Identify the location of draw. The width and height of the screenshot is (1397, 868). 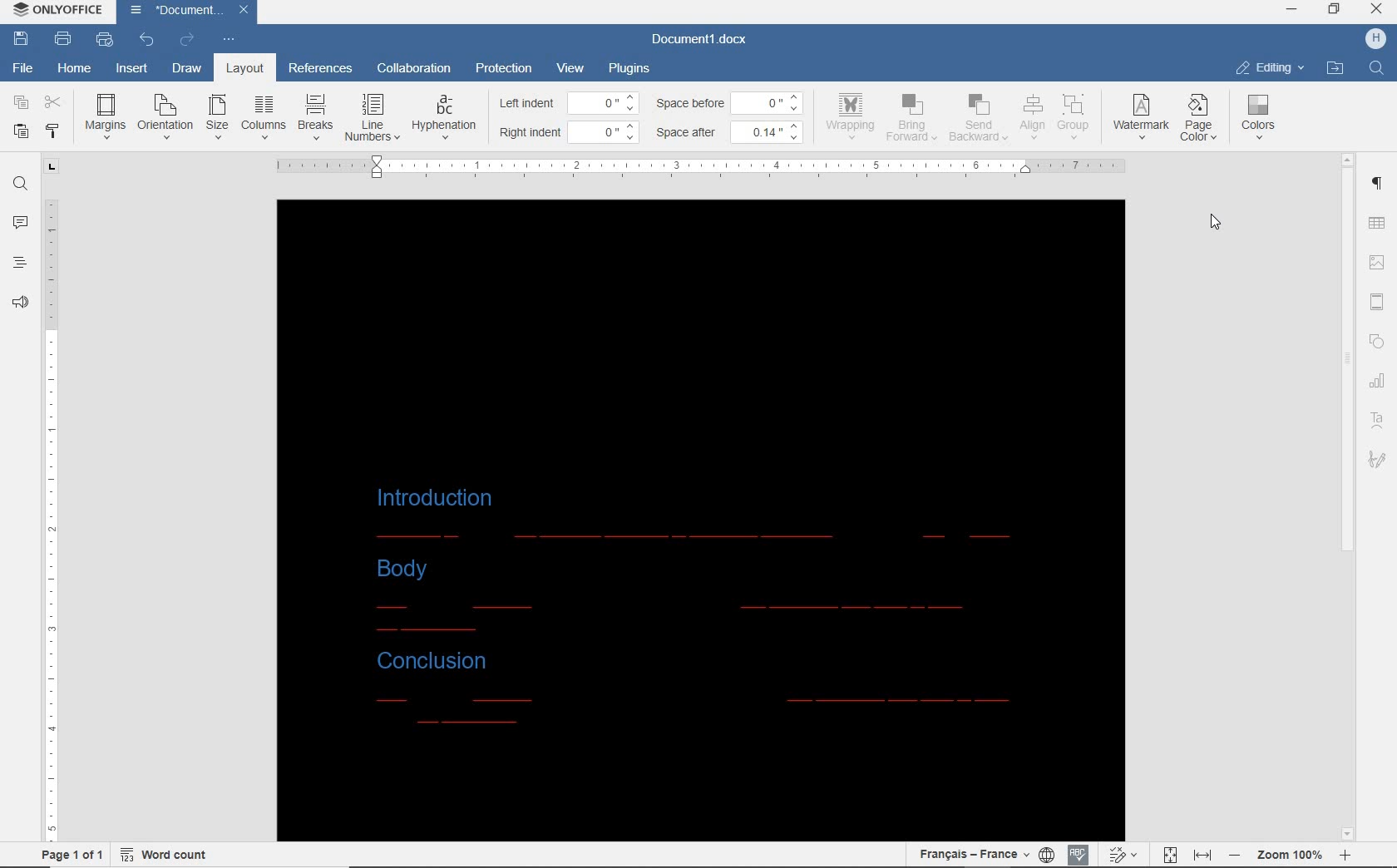
(185, 67).